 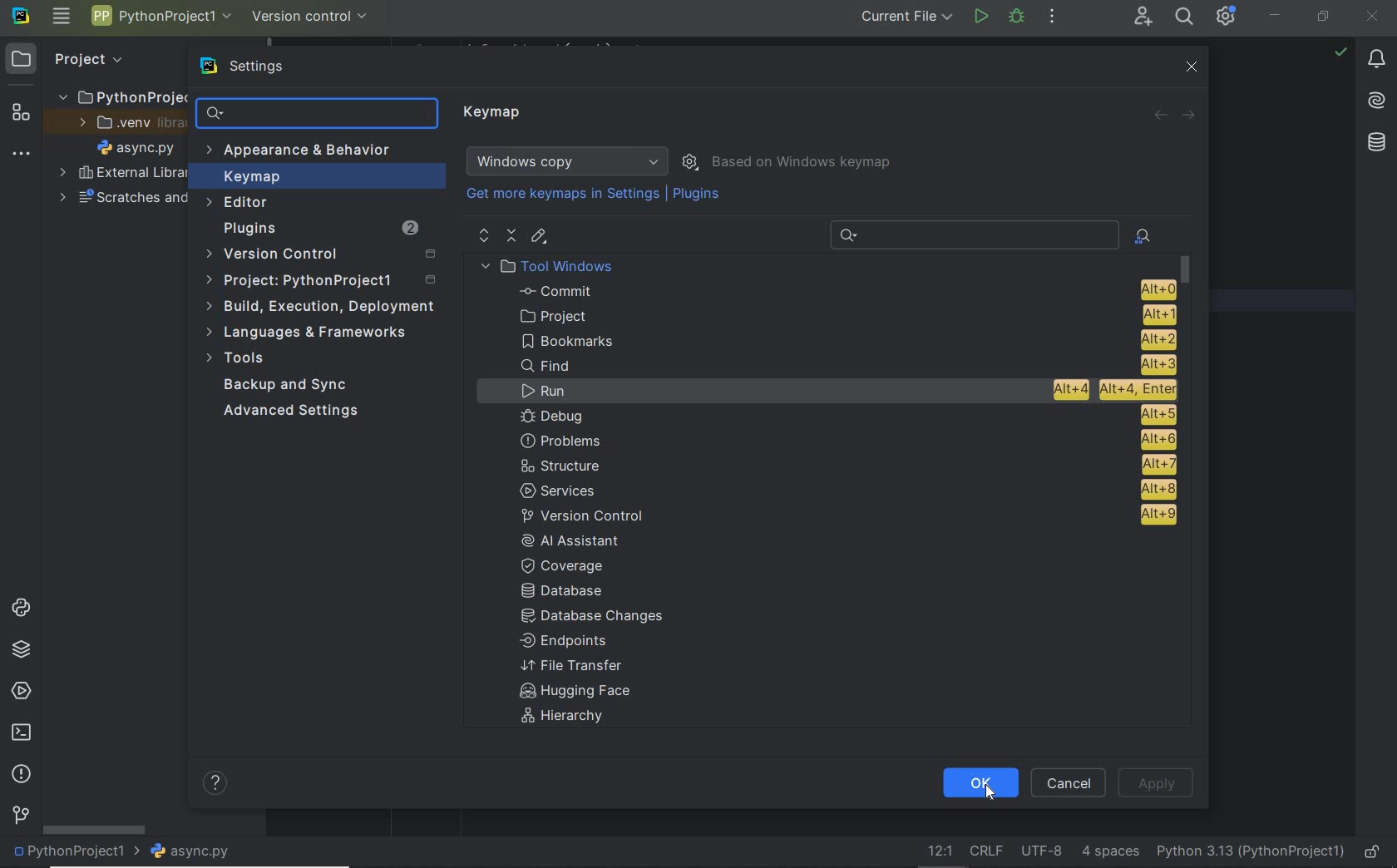 I want to click on Keymap, so click(x=317, y=176).